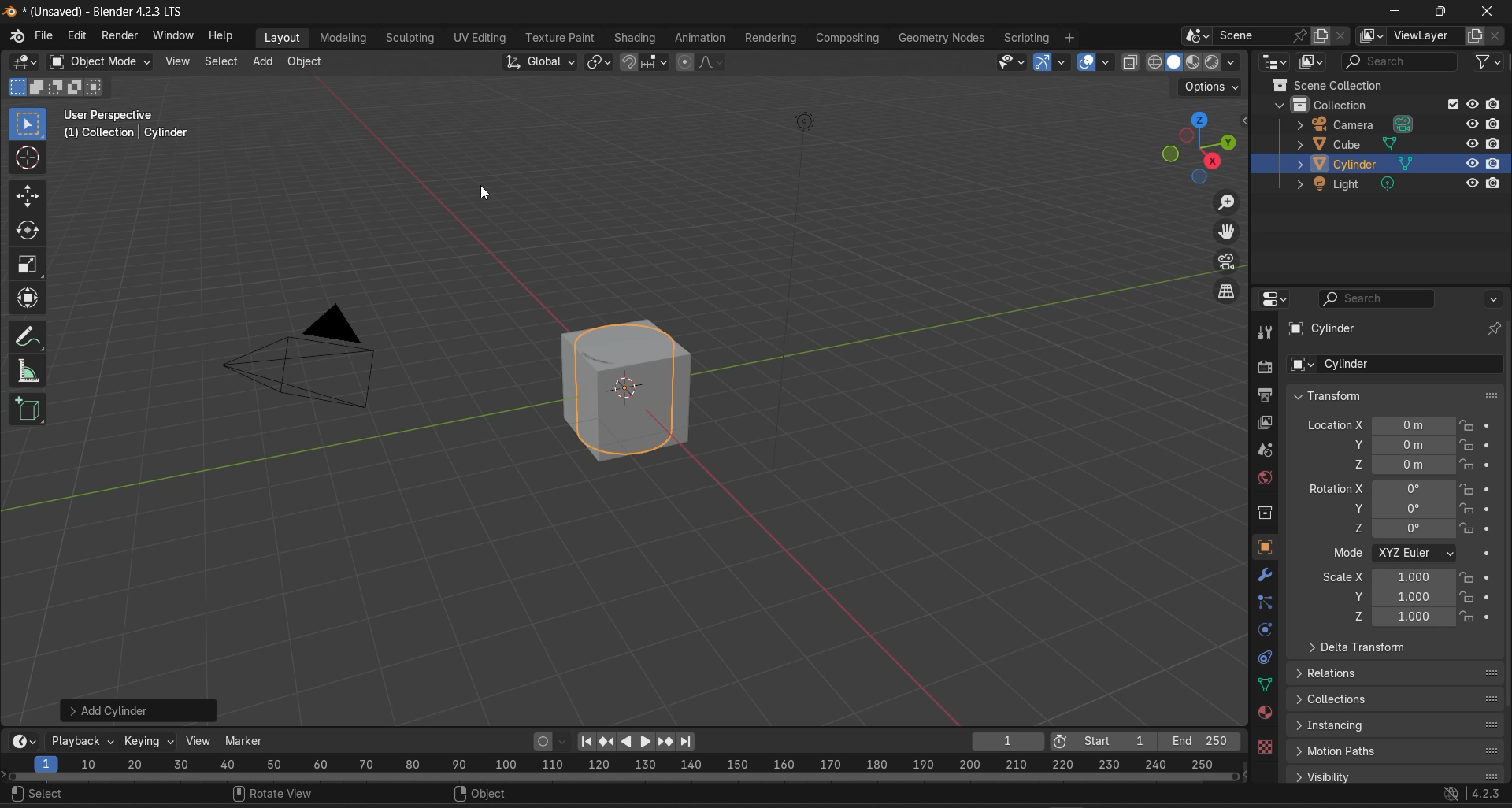  Describe the element at coordinates (558, 36) in the screenshot. I see `texture paint` at that location.